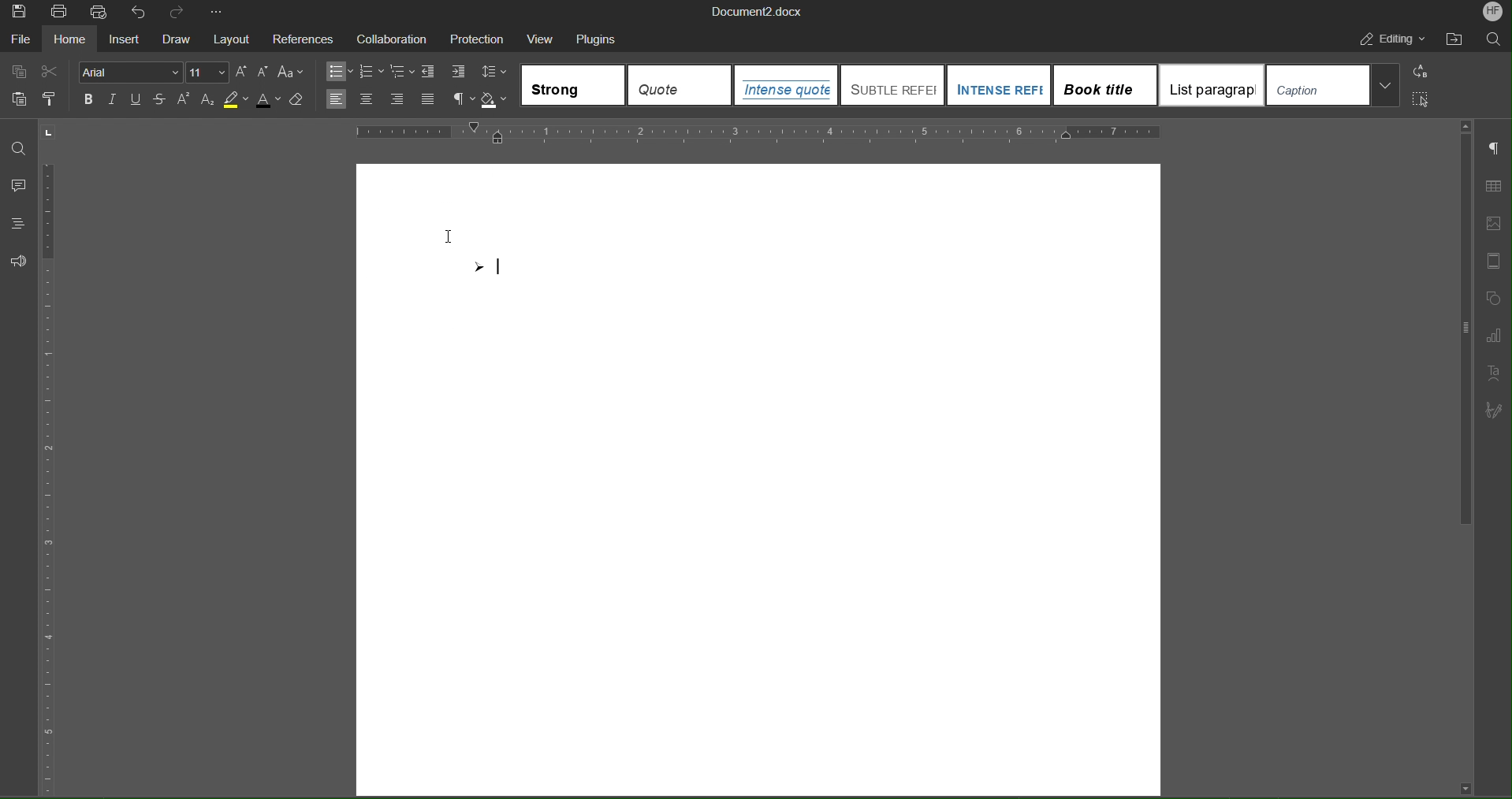  What do you see at coordinates (1423, 72) in the screenshot?
I see `Replace` at bounding box center [1423, 72].